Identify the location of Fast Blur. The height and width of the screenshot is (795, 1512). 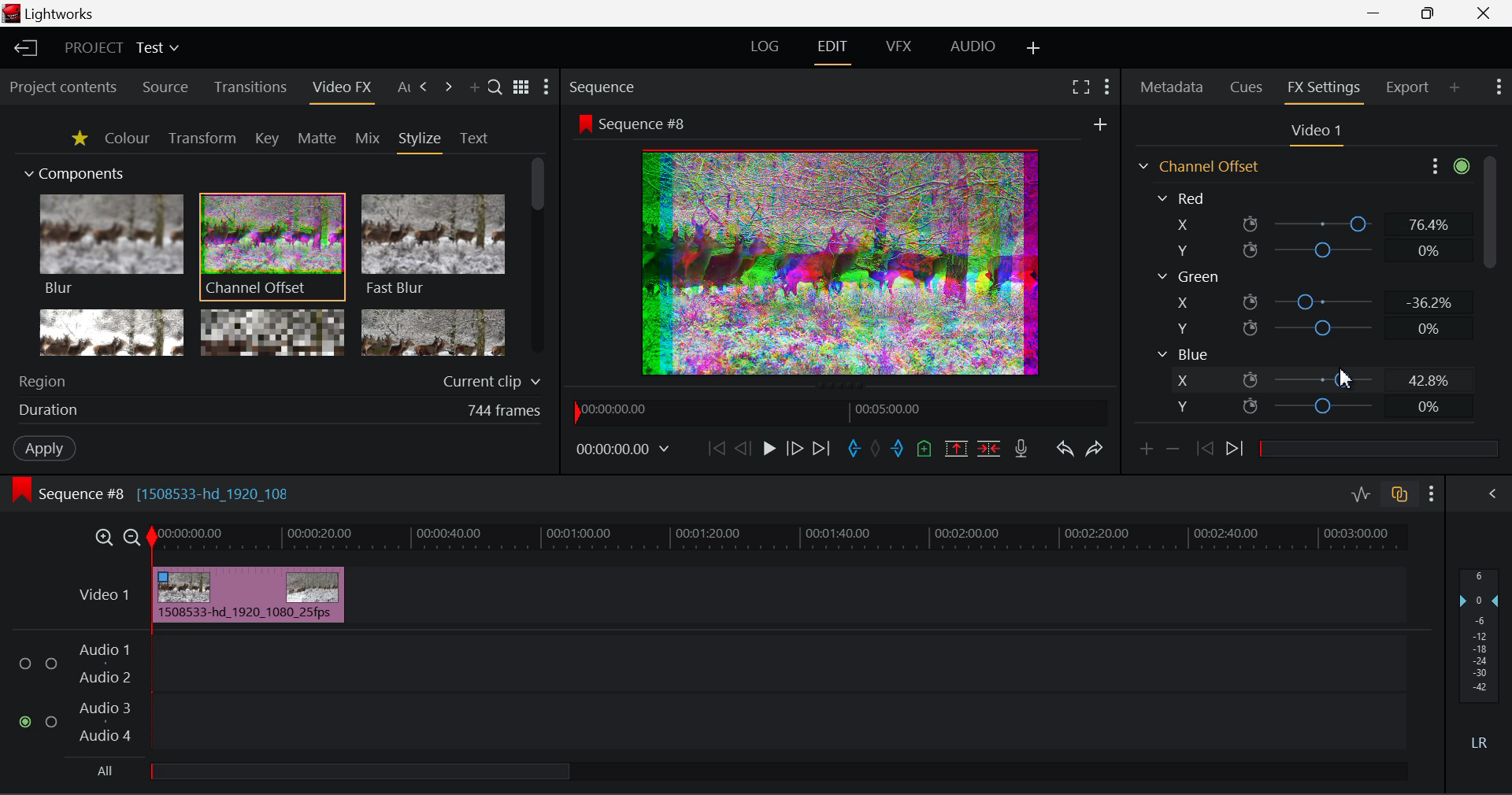
(434, 246).